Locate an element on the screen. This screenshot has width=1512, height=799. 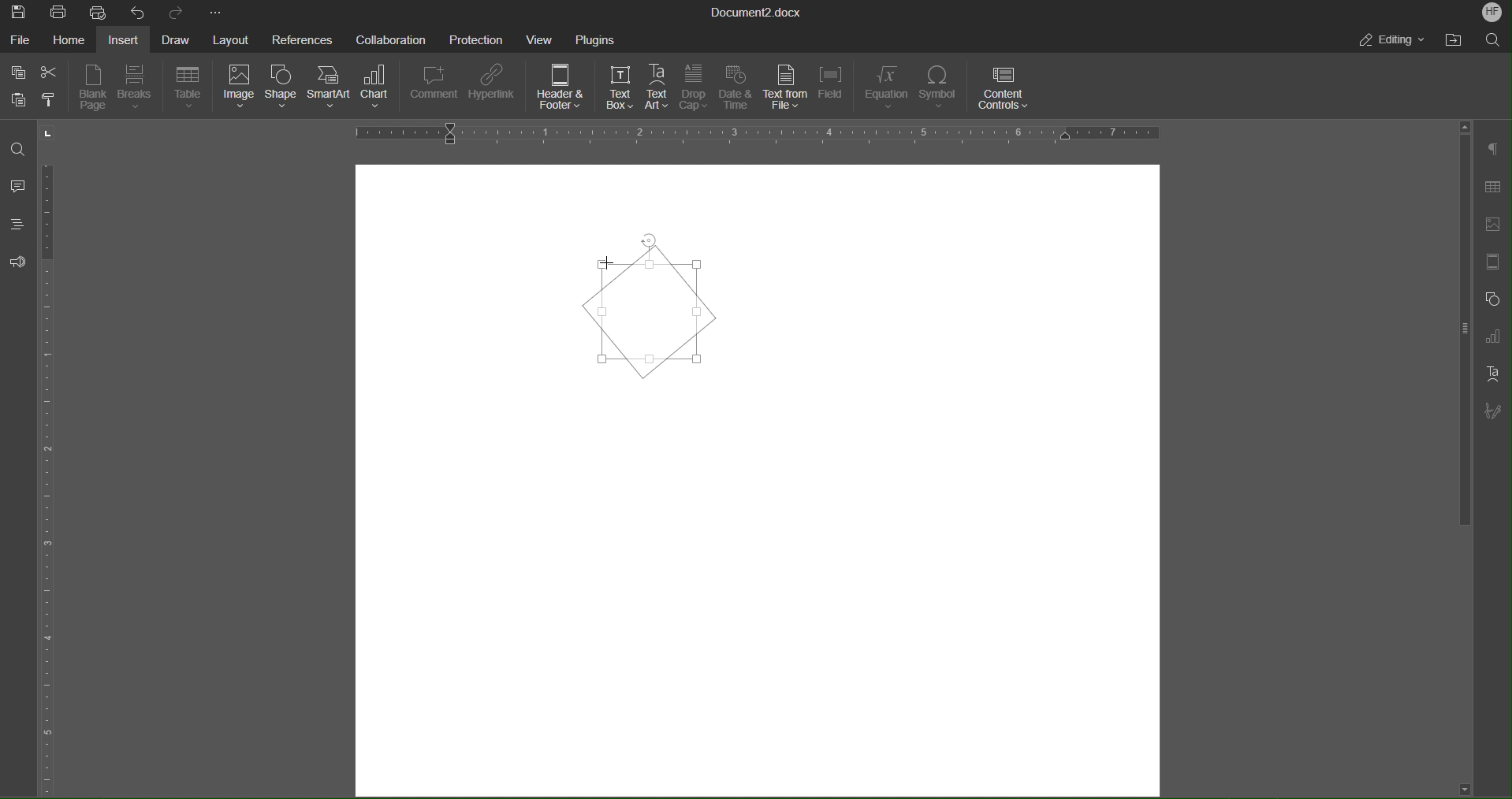
Undo is located at coordinates (136, 12).